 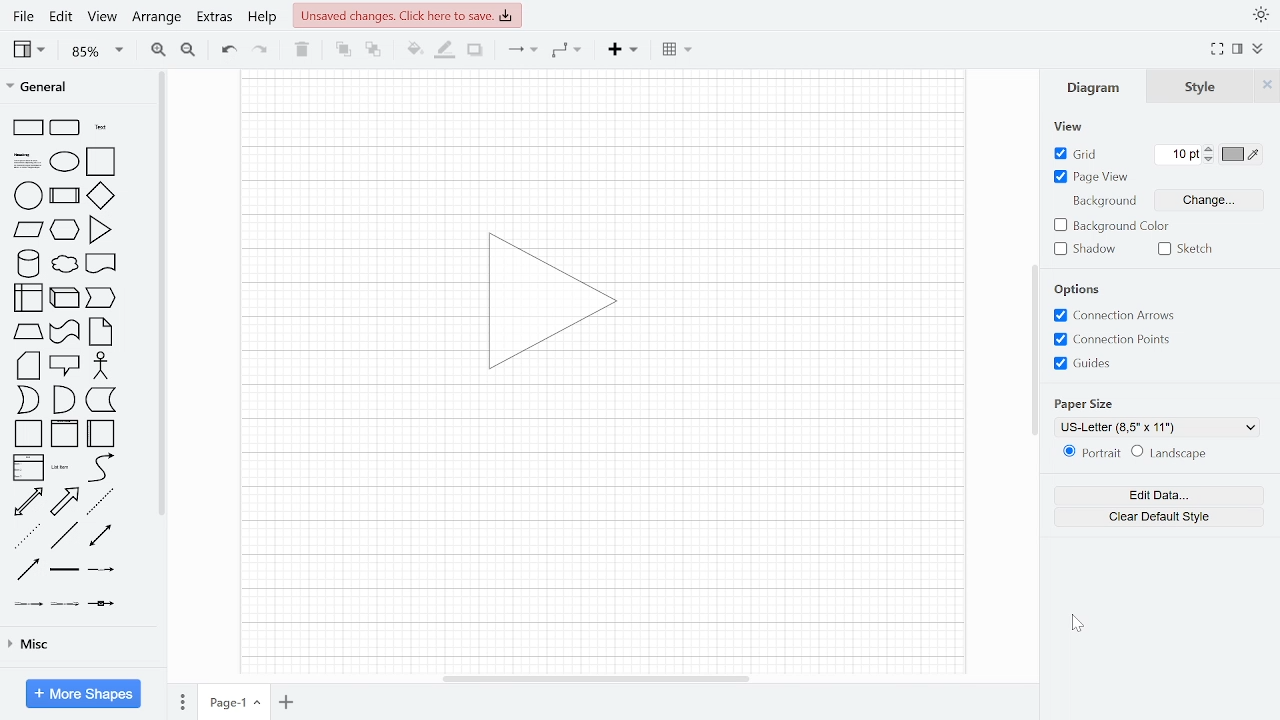 I want to click on Triangle, so click(x=100, y=230).